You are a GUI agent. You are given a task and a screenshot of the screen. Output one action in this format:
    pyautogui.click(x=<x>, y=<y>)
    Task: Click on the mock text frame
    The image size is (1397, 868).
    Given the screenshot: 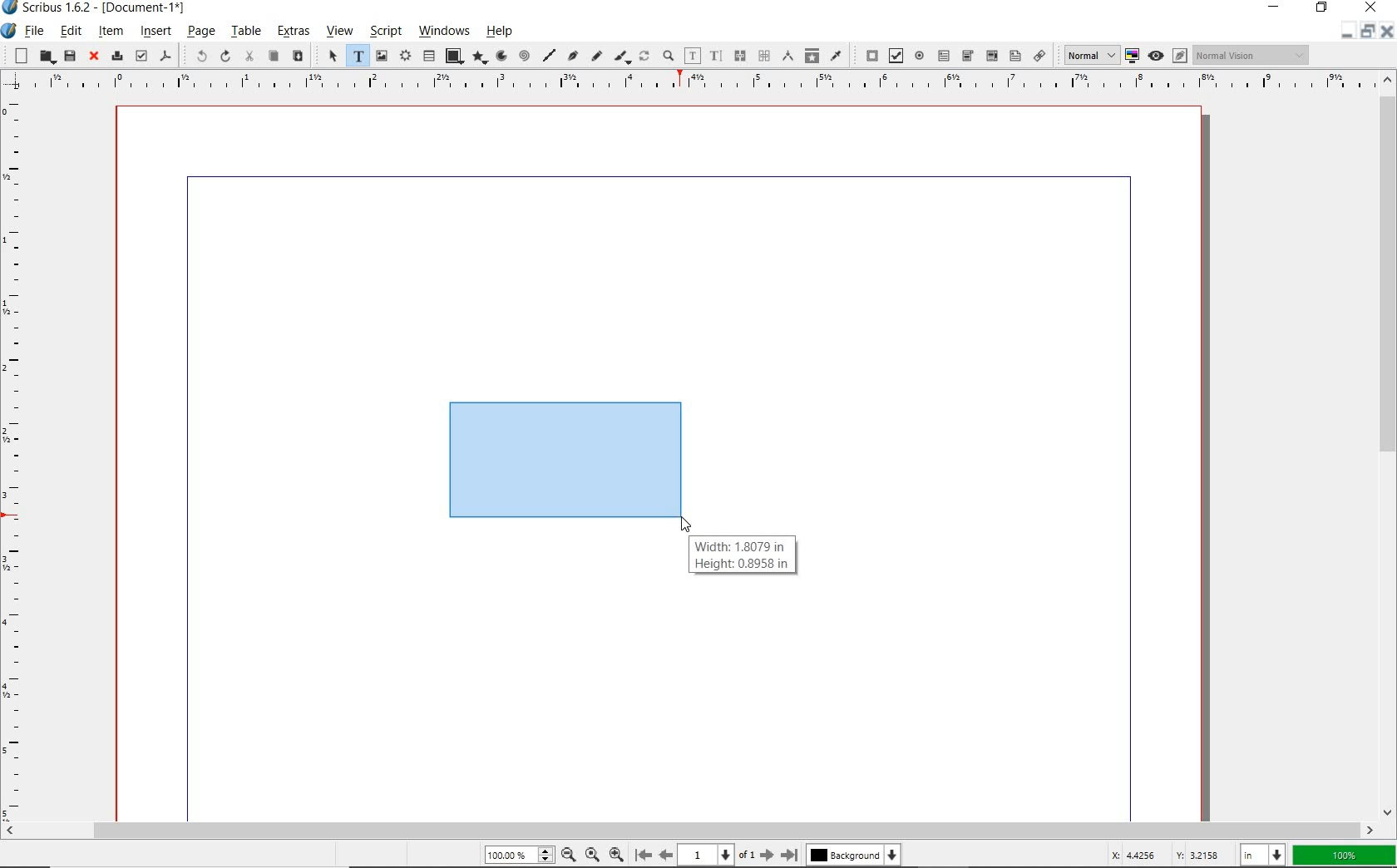 What is the action you would take?
    pyautogui.click(x=565, y=460)
    